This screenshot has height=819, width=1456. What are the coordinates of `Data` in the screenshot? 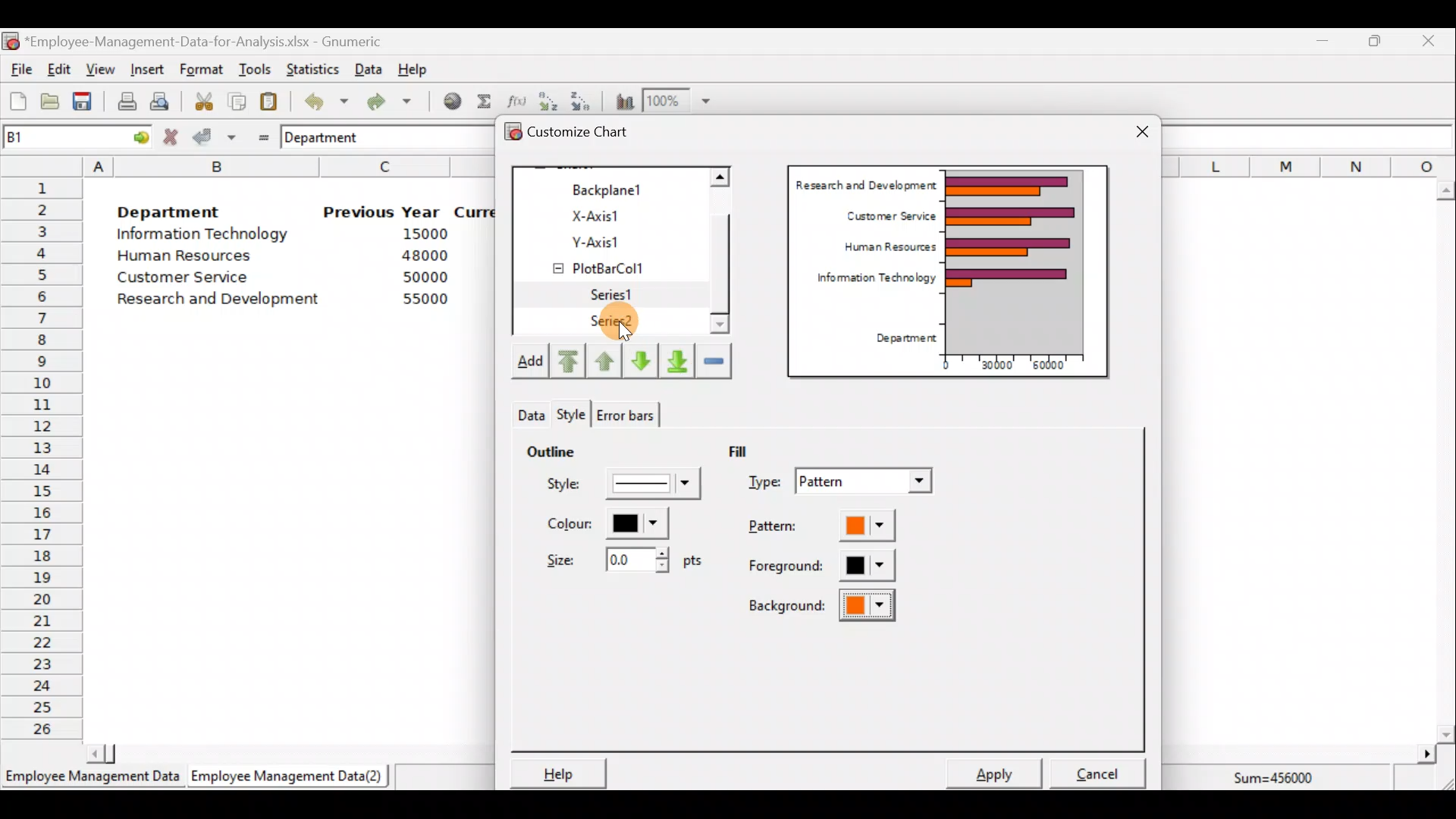 It's located at (369, 69).